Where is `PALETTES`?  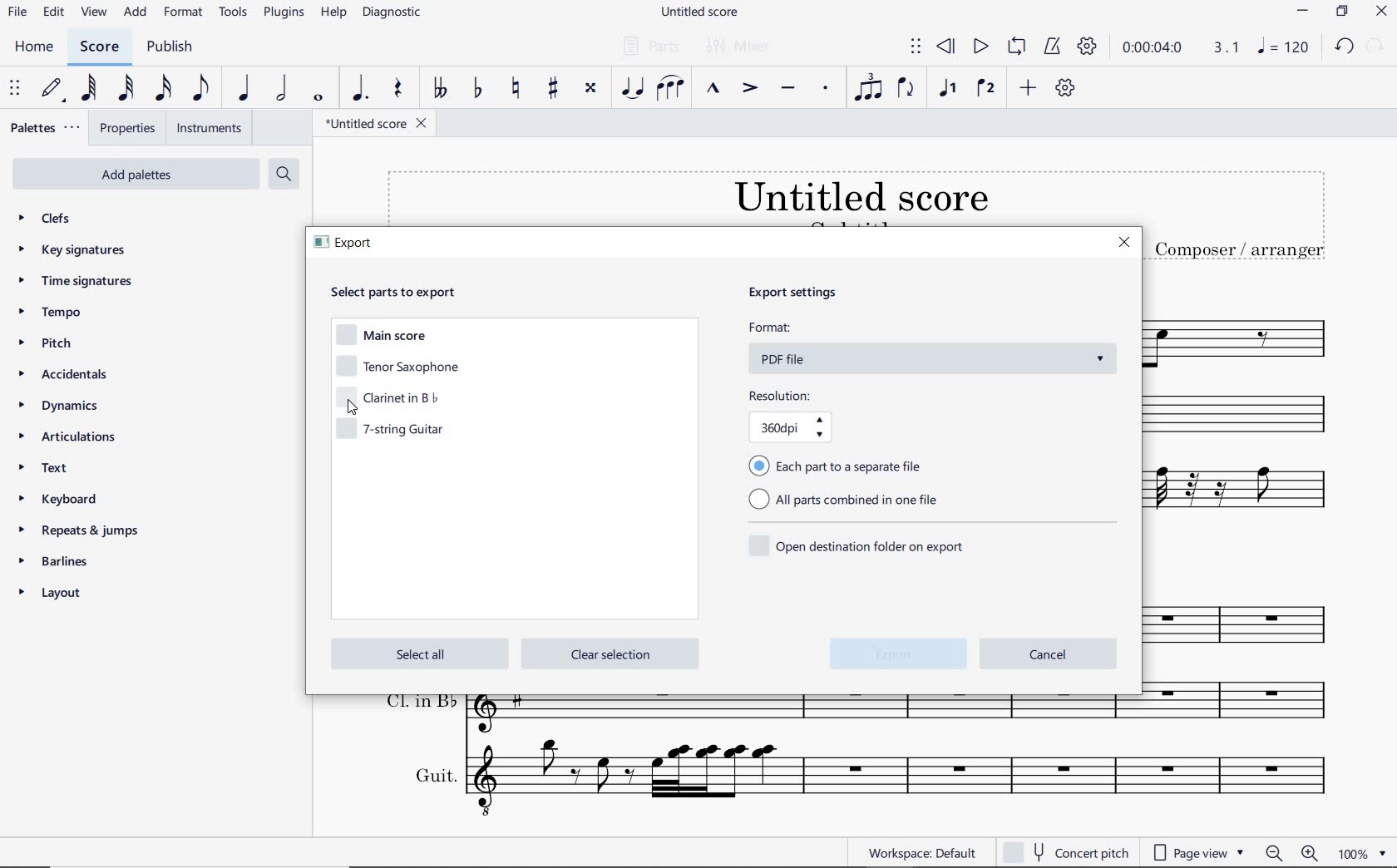
PALETTES is located at coordinates (46, 129).